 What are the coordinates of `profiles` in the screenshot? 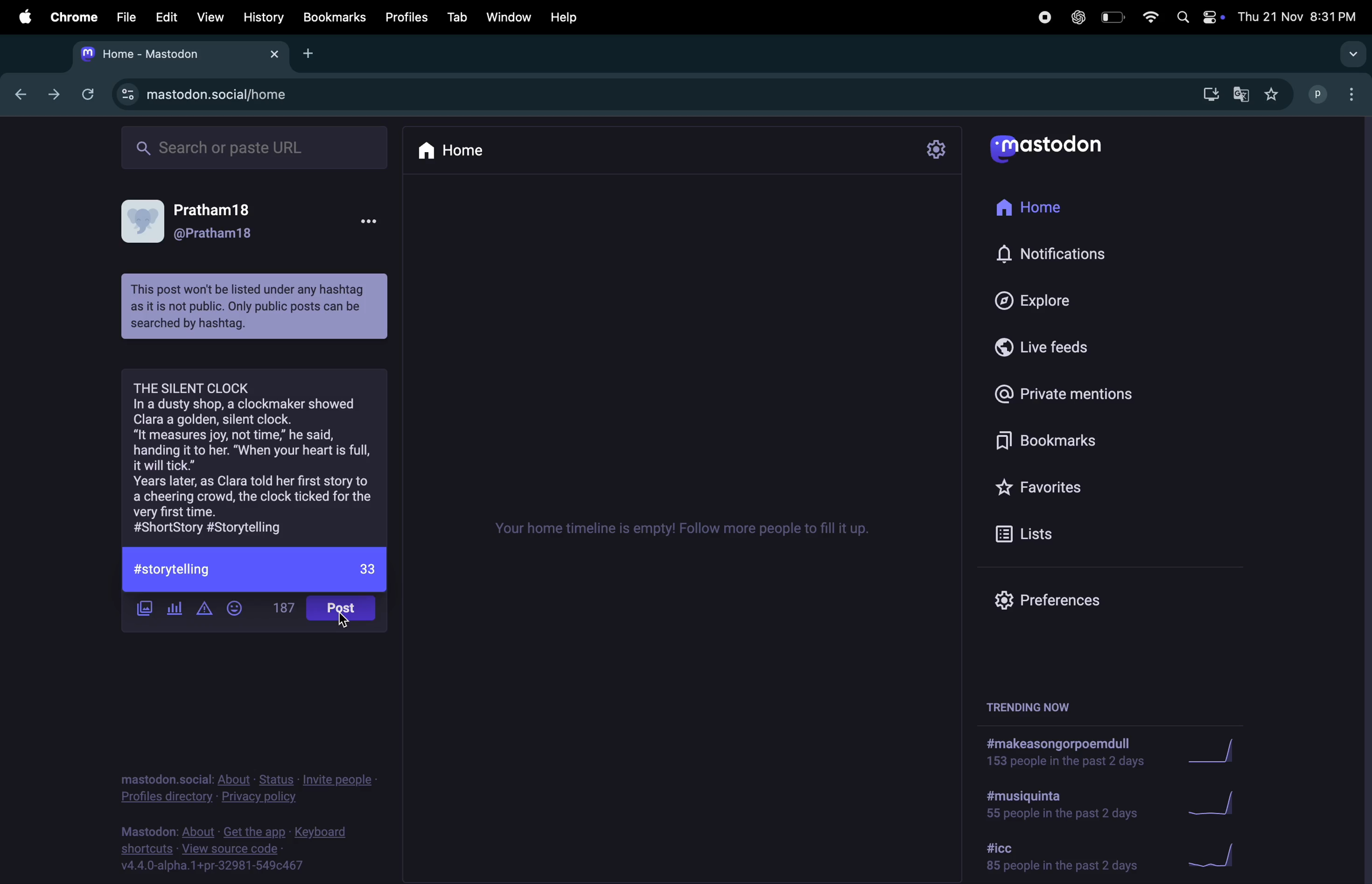 It's located at (404, 17).